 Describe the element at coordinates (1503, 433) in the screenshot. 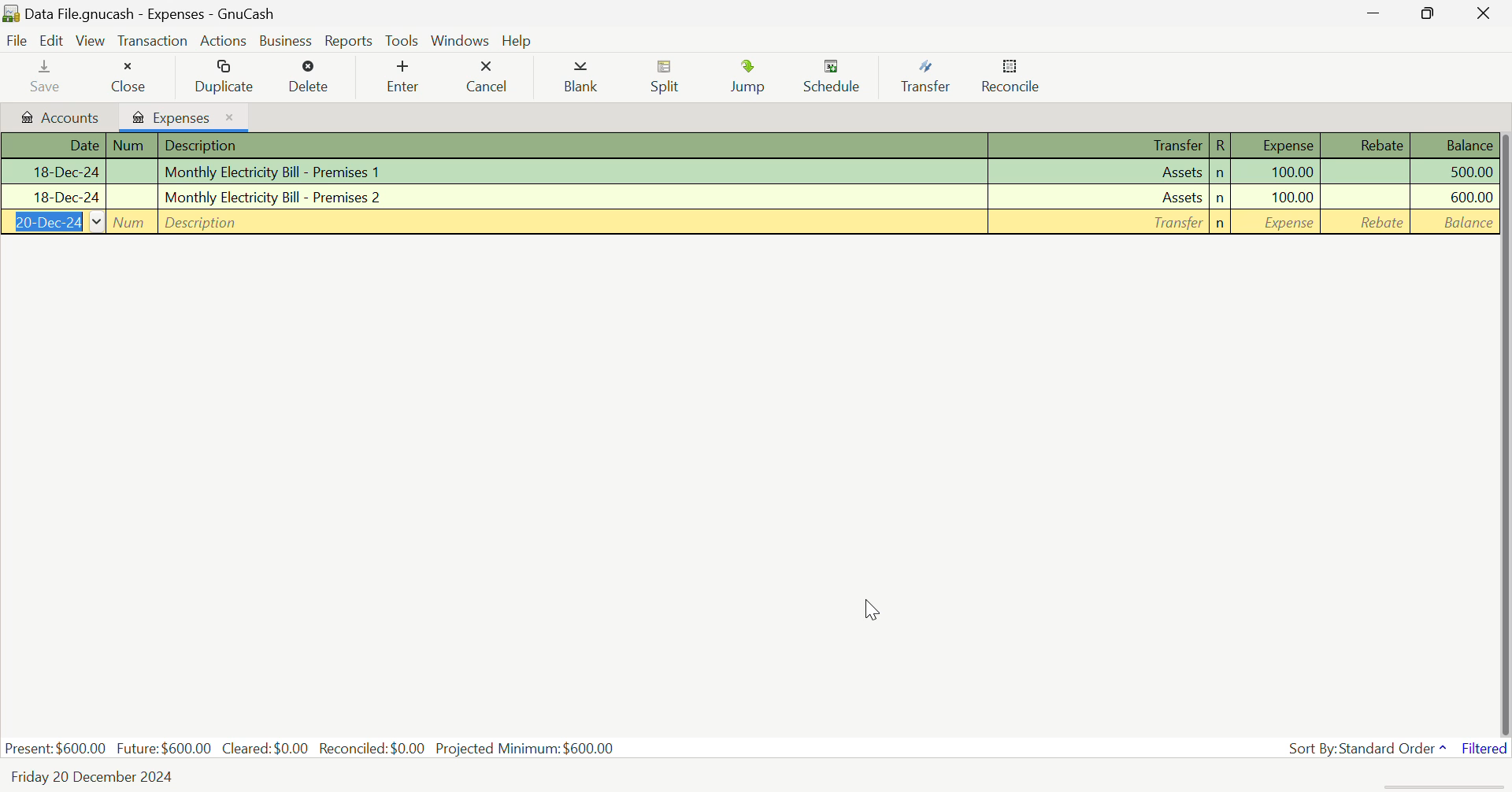

I see `Scroll Bar` at that location.